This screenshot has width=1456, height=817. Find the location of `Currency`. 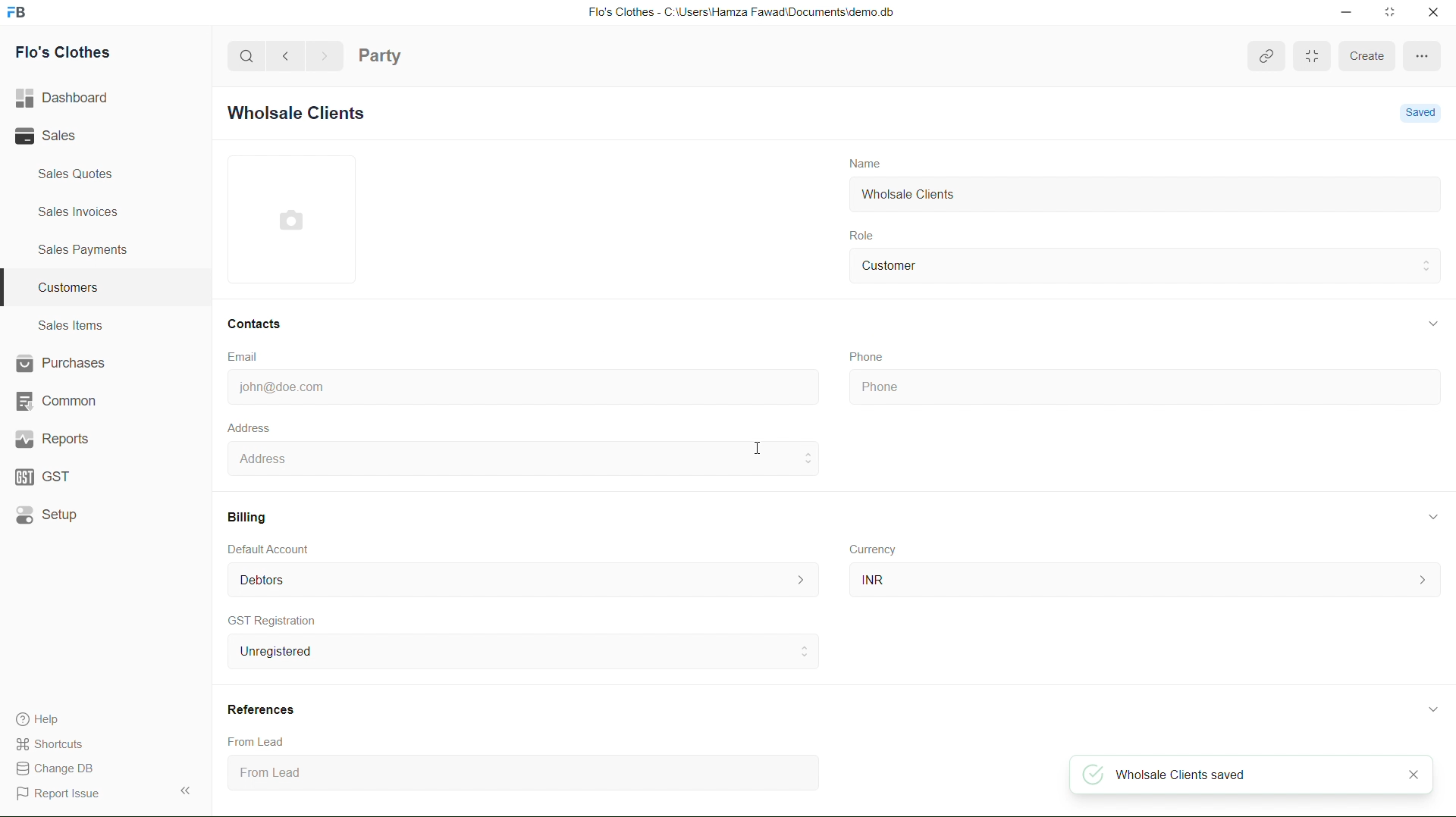

Currency is located at coordinates (874, 549).